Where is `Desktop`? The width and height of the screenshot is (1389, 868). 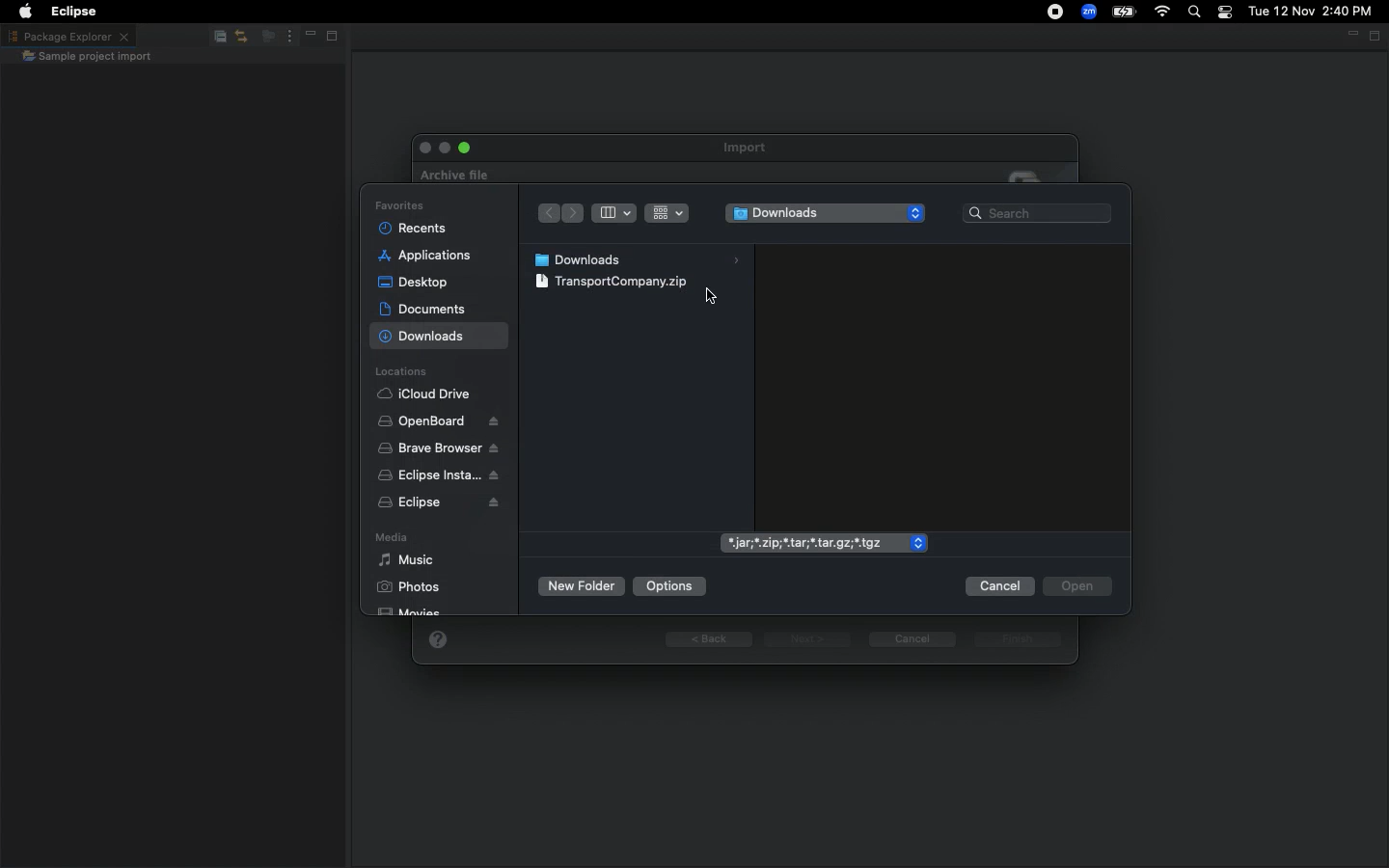 Desktop is located at coordinates (413, 282).